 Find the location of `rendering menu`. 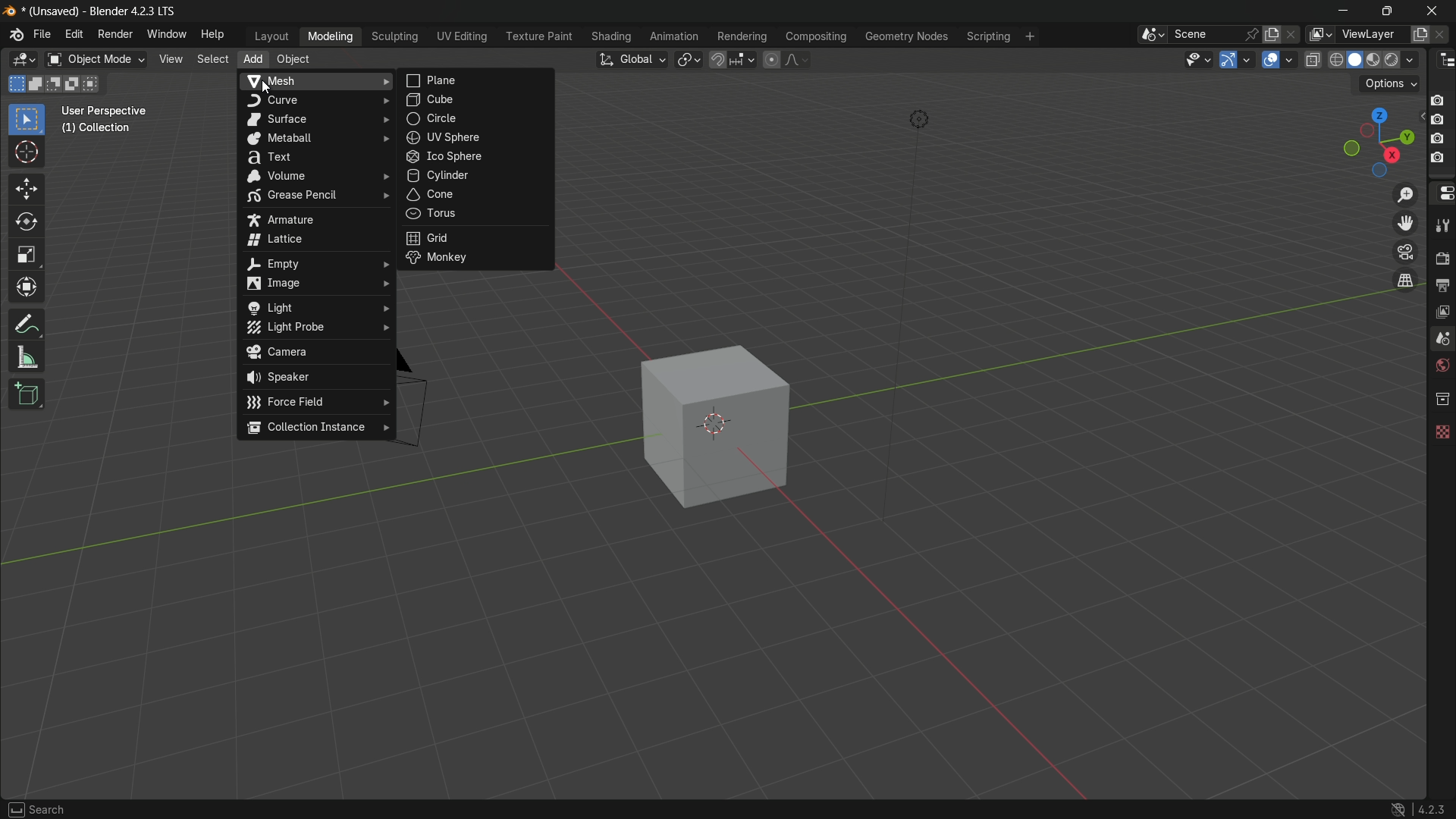

rendering menu is located at coordinates (742, 36).